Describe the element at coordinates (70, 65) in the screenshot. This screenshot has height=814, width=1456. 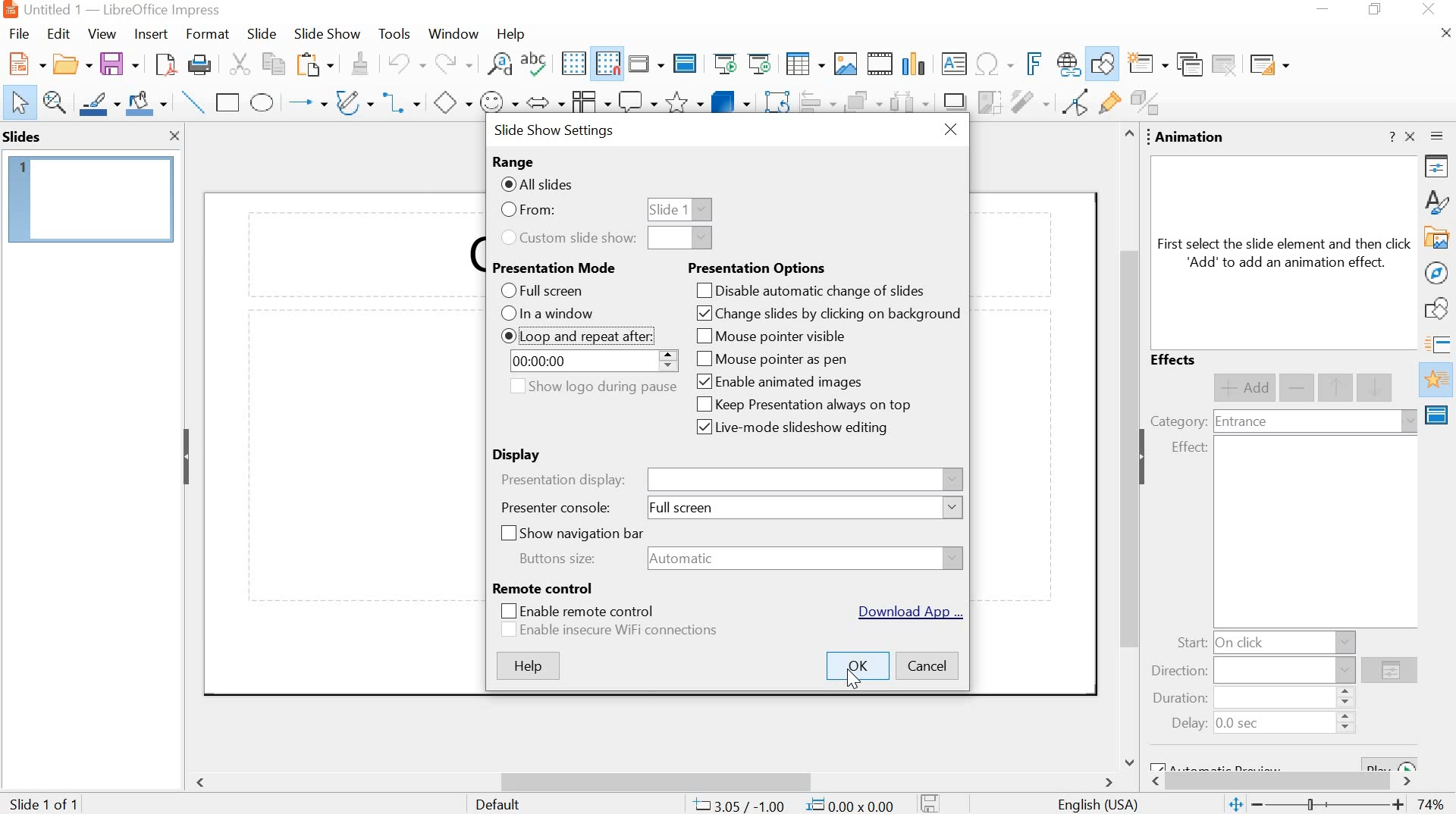
I see `open` at that location.